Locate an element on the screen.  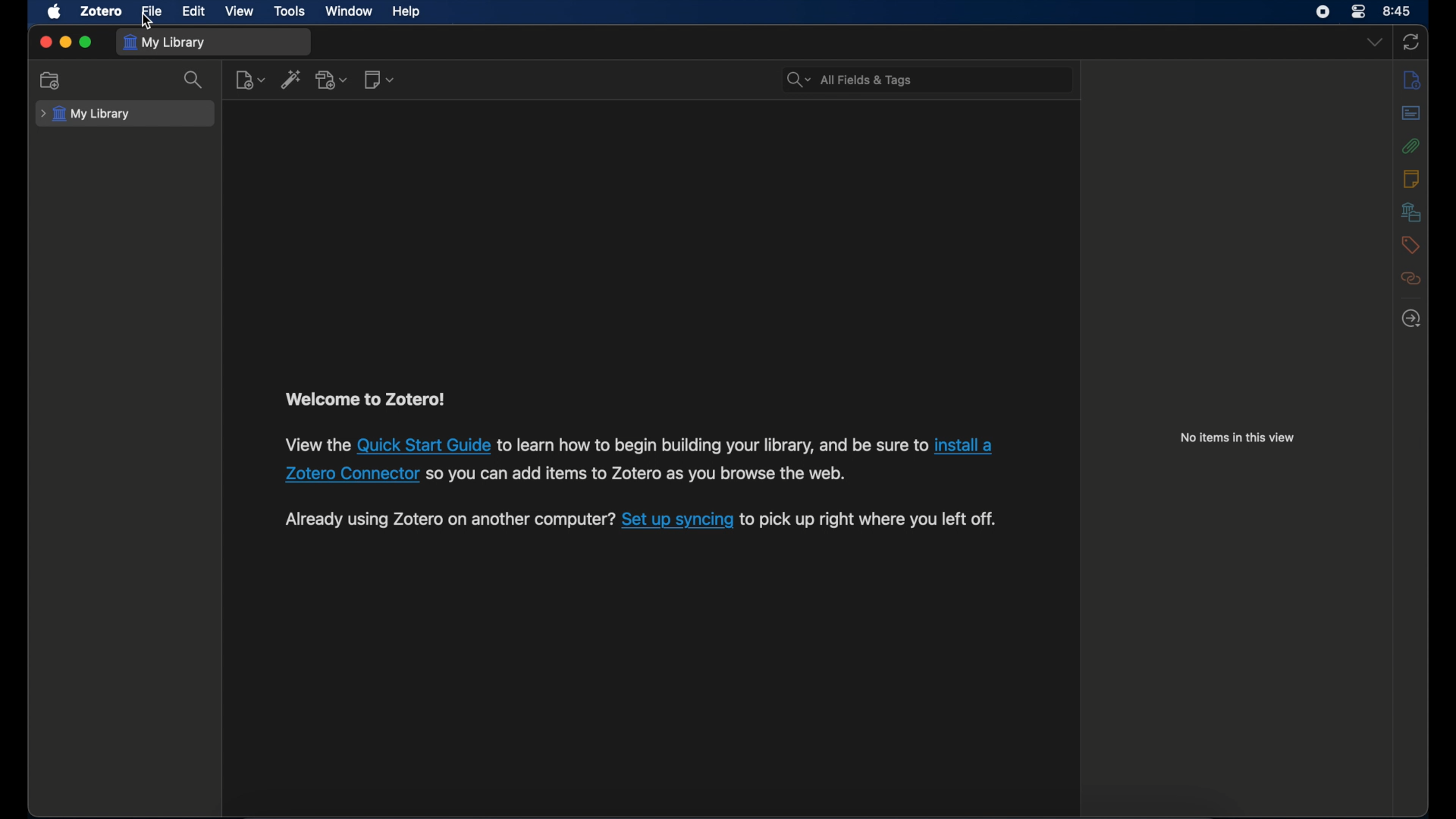
add attachment is located at coordinates (333, 80).